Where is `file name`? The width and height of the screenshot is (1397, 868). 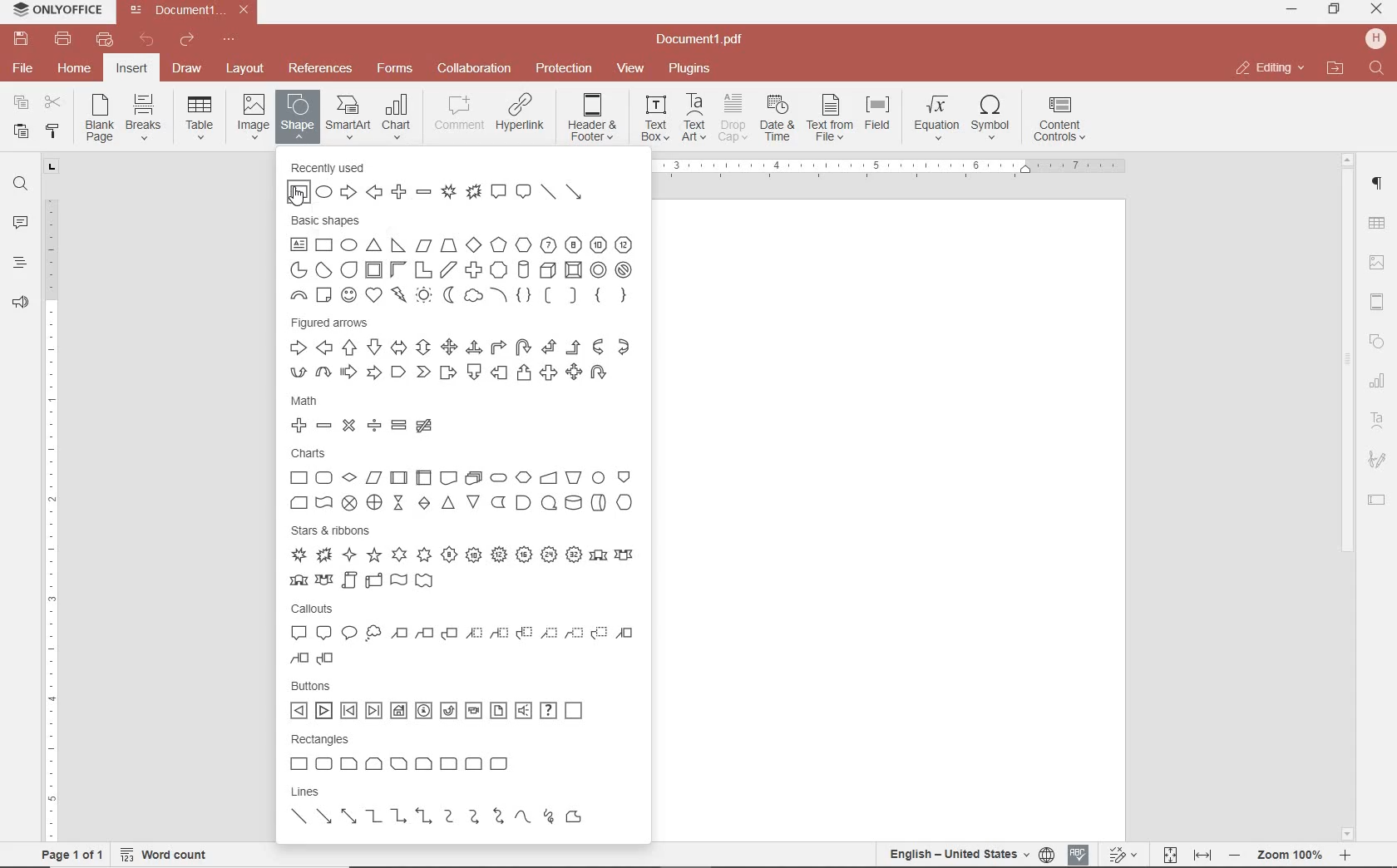
file name is located at coordinates (193, 10).